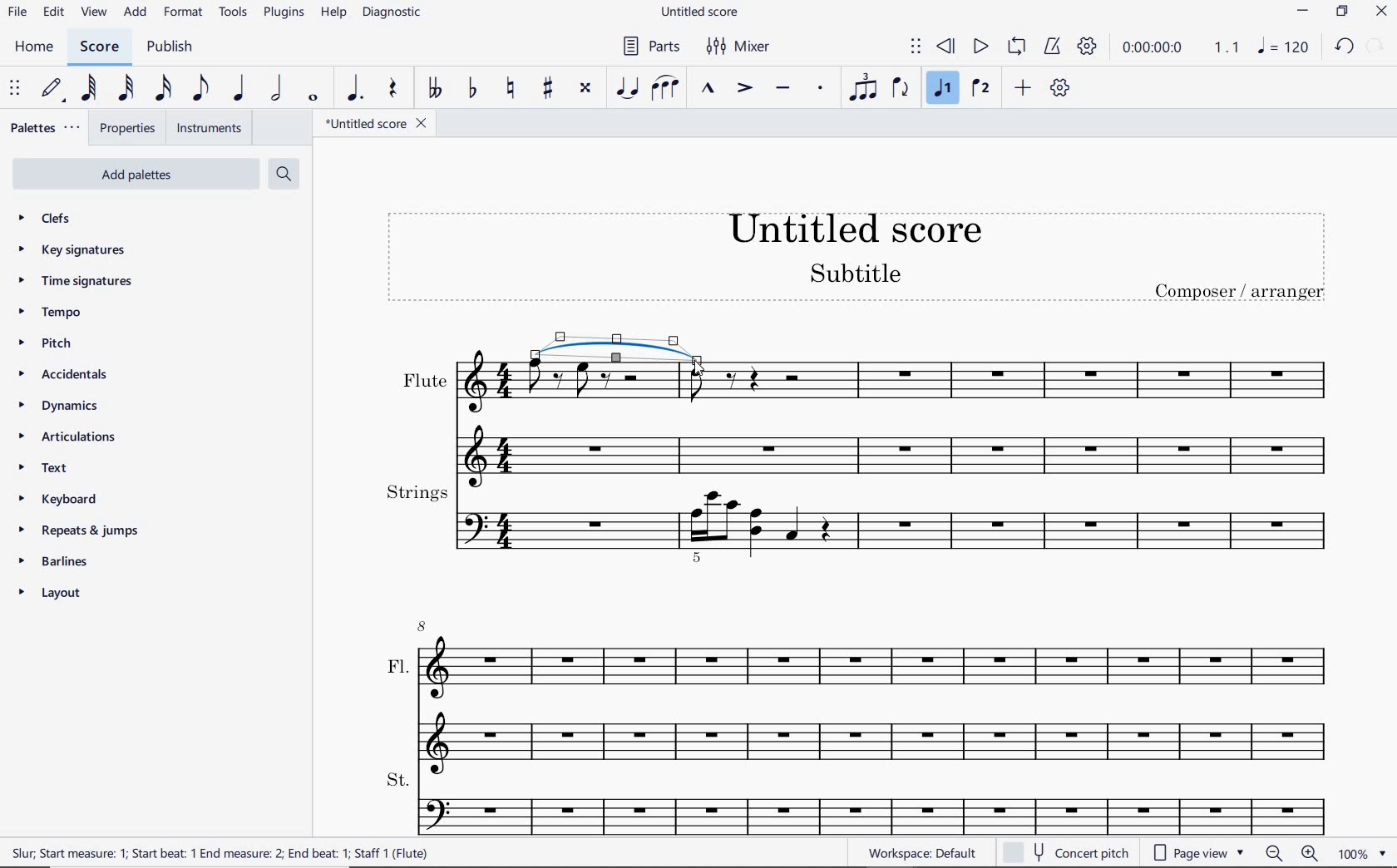  I want to click on TIE, so click(626, 89).